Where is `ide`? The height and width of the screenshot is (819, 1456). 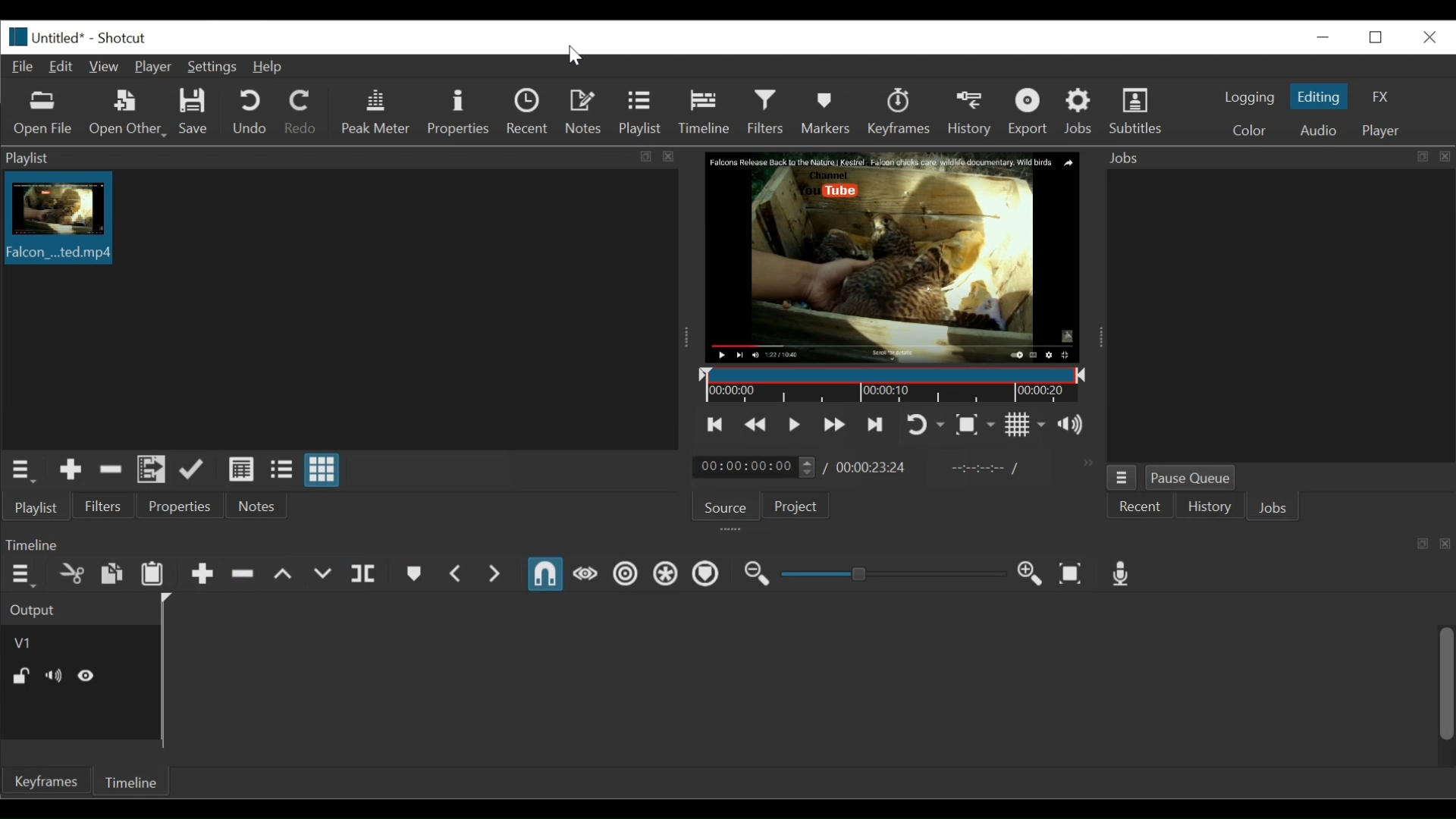
ide is located at coordinates (87, 675).